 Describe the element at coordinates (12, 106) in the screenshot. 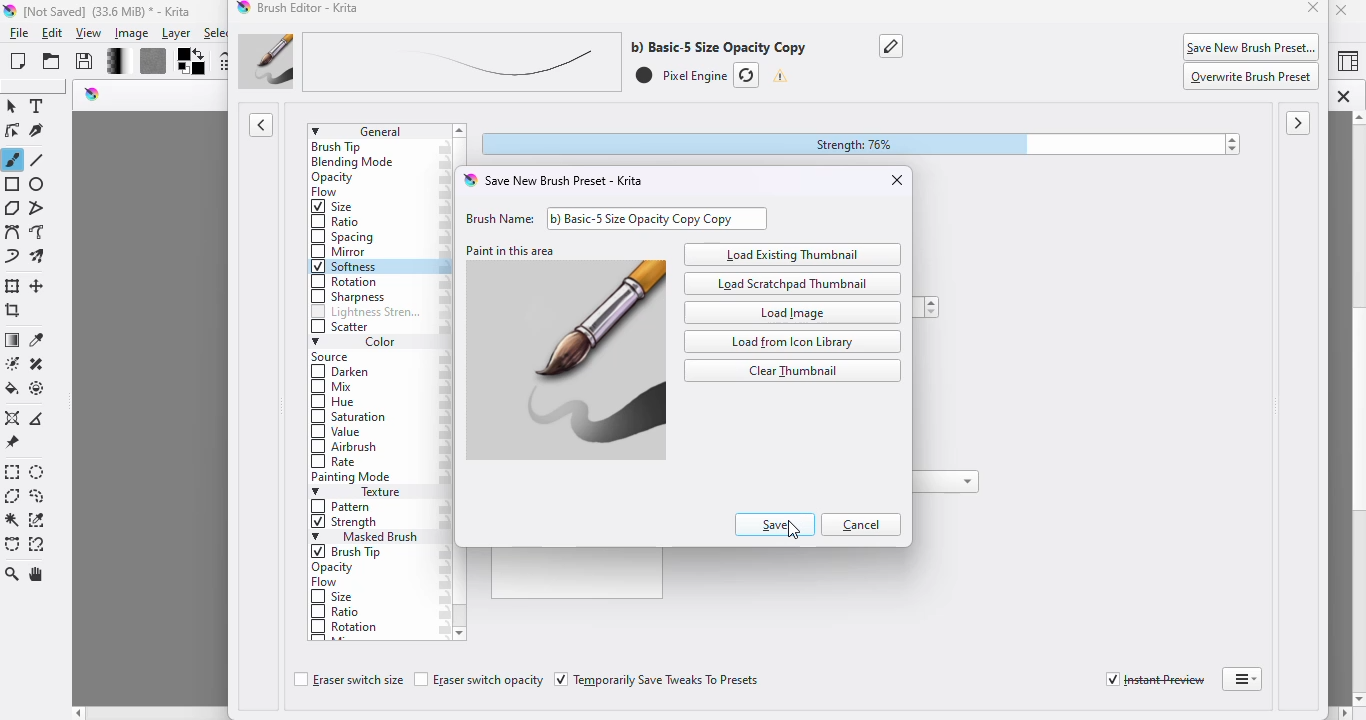

I see `select shapes tool` at that location.